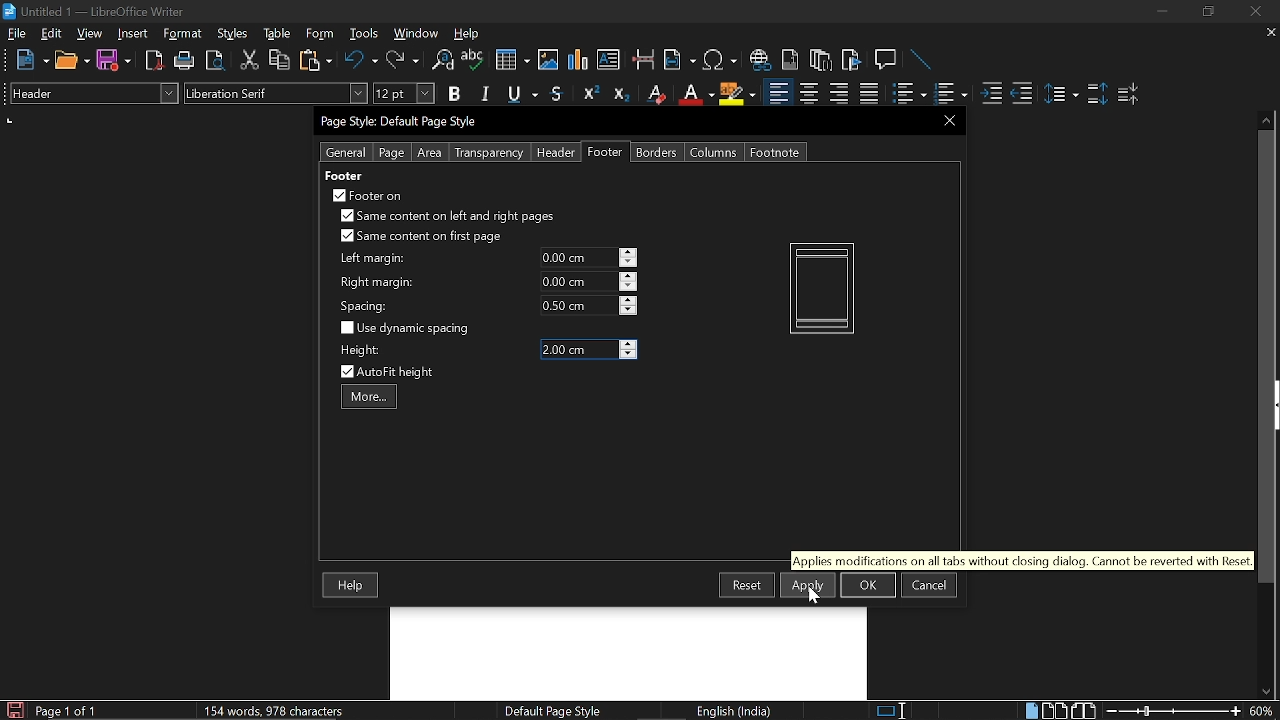 The height and width of the screenshot is (720, 1280). Describe the element at coordinates (1261, 710) in the screenshot. I see `Current zoom hey Cortana` at that location.